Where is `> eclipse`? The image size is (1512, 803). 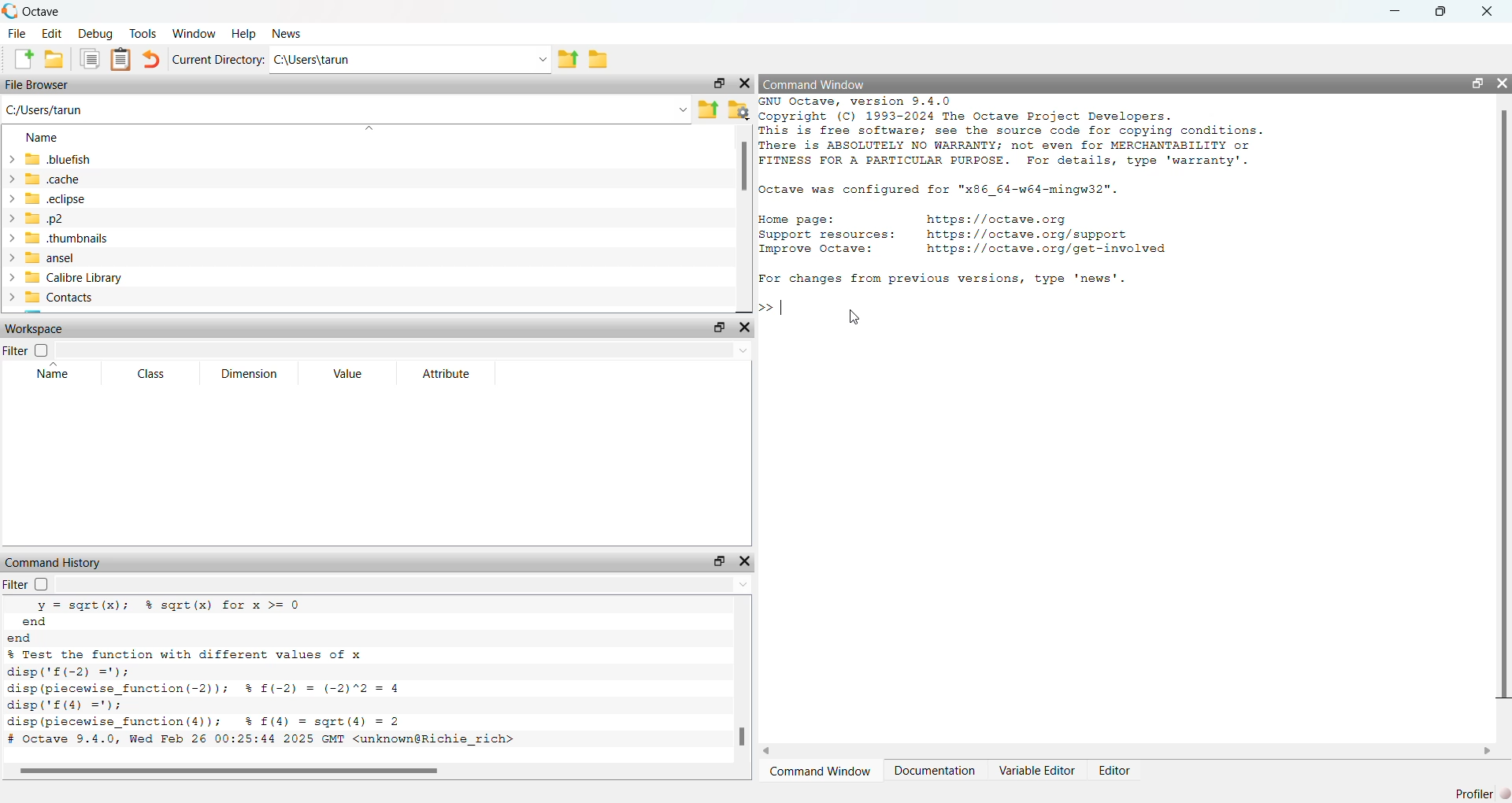
> eclipse is located at coordinates (48, 200).